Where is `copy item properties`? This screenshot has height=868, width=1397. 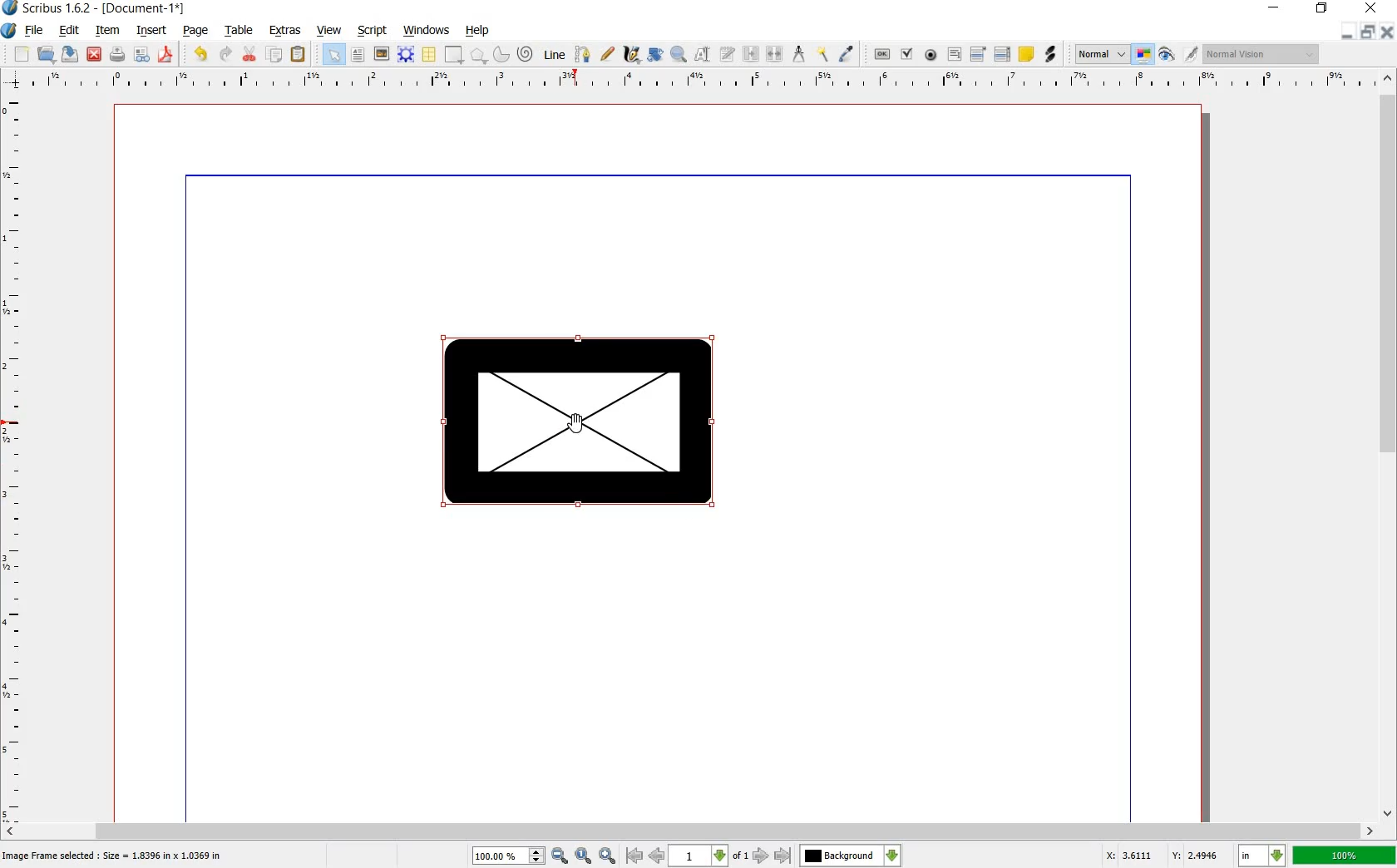
copy item properties is located at coordinates (822, 53).